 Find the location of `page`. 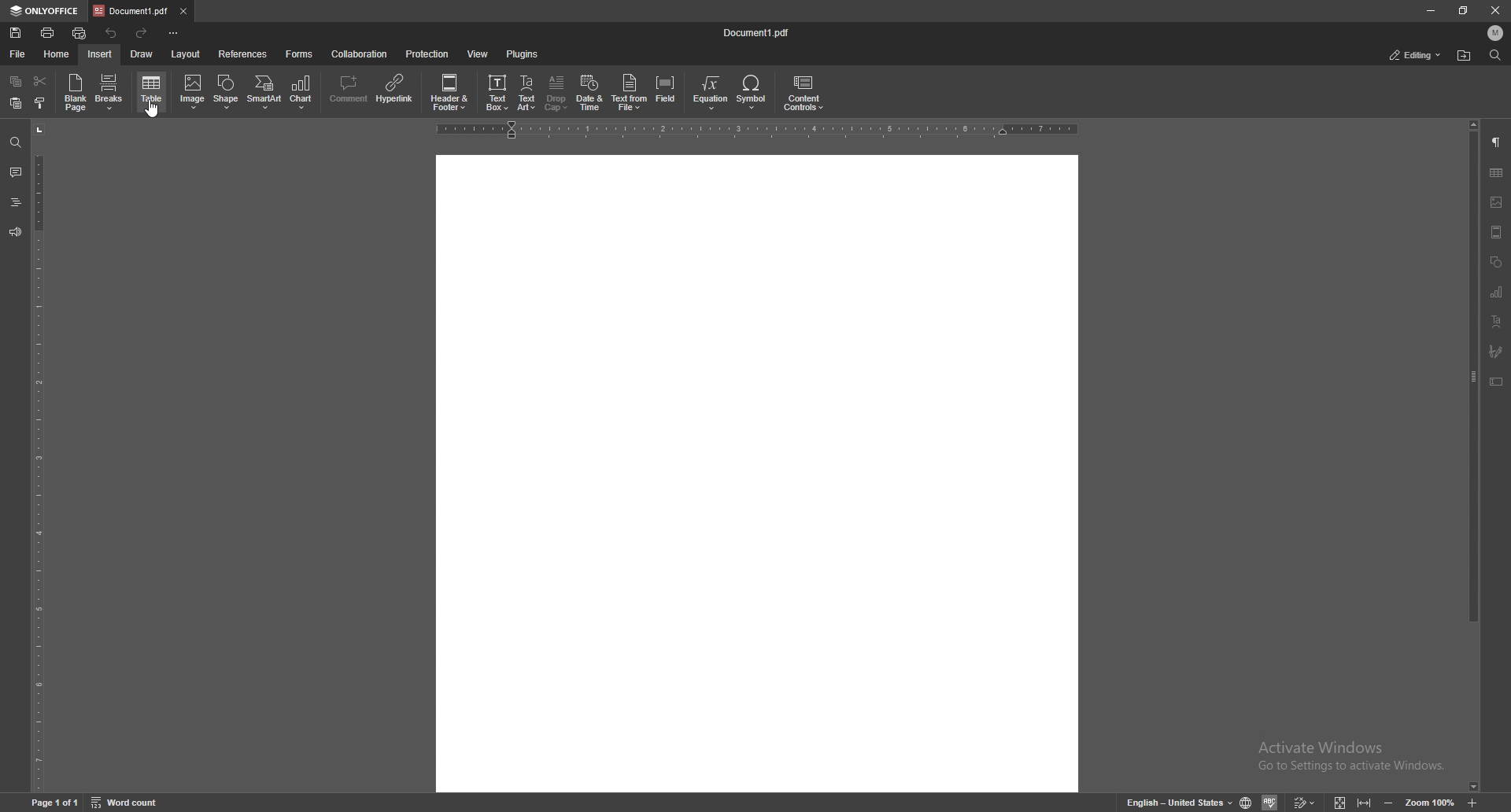

page is located at coordinates (57, 802).